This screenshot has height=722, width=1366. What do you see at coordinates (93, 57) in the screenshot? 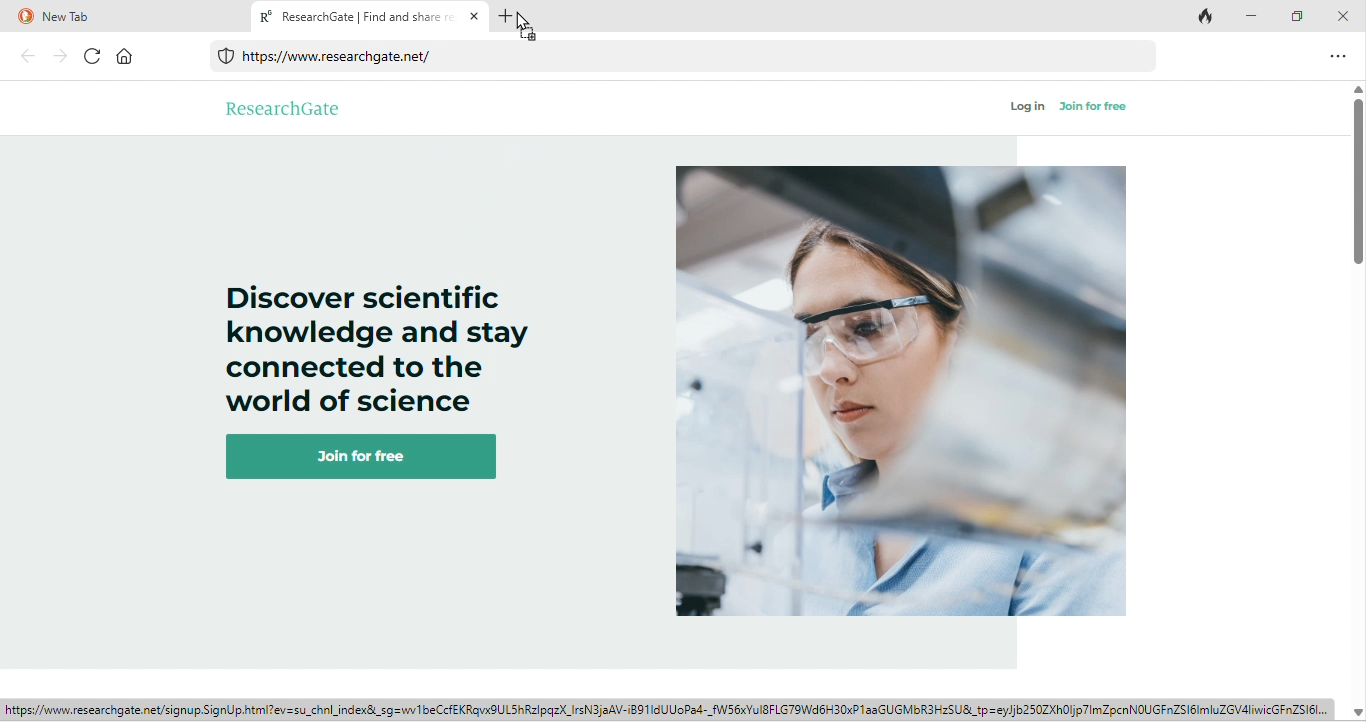
I see `Refresh` at bounding box center [93, 57].